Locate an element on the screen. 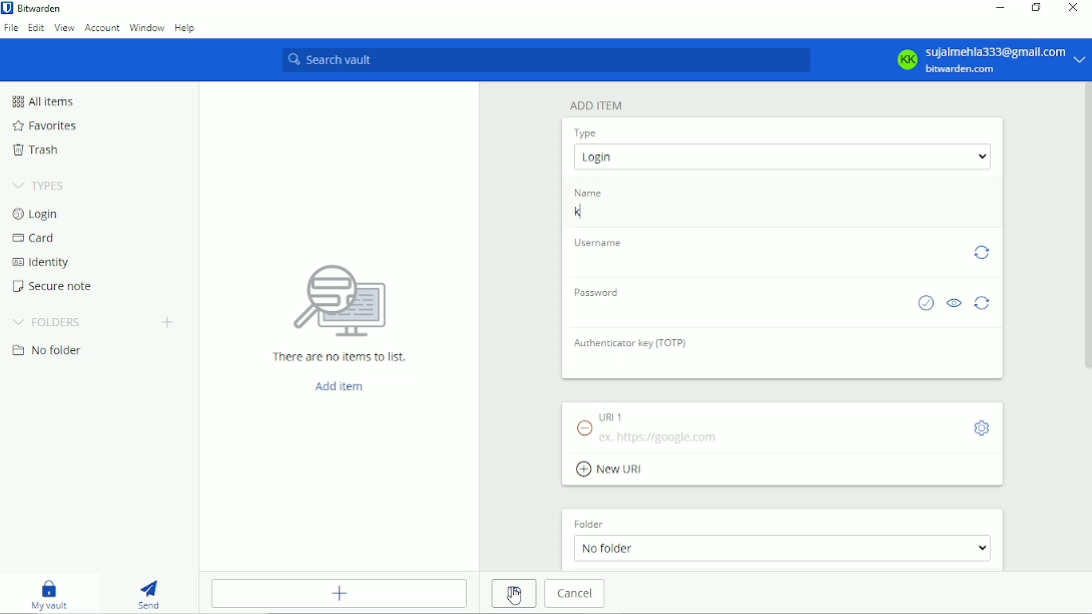  Check if password has been exposed is located at coordinates (925, 302).